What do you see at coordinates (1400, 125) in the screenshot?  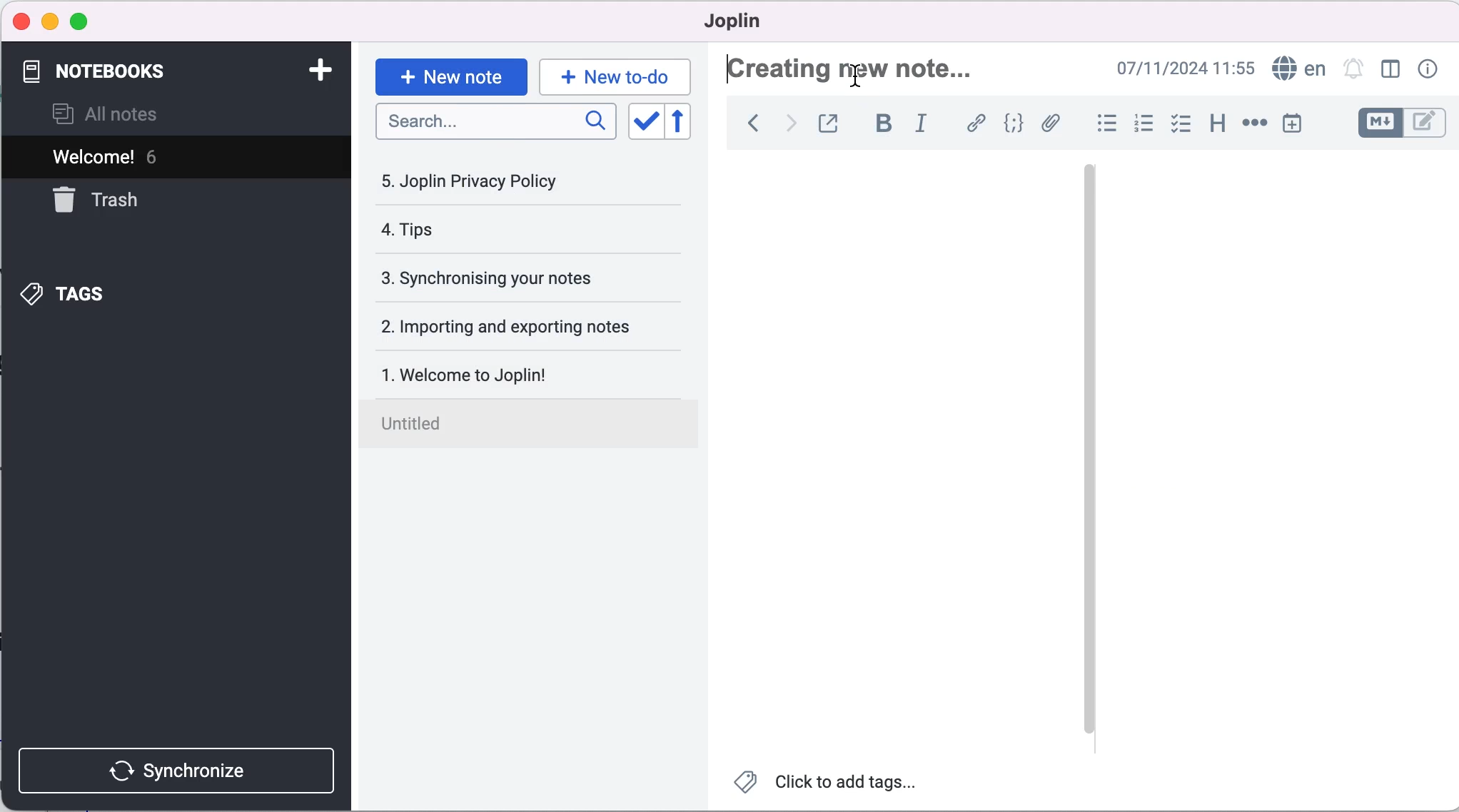 I see `toggle editors` at bounding box center [1400, 125].